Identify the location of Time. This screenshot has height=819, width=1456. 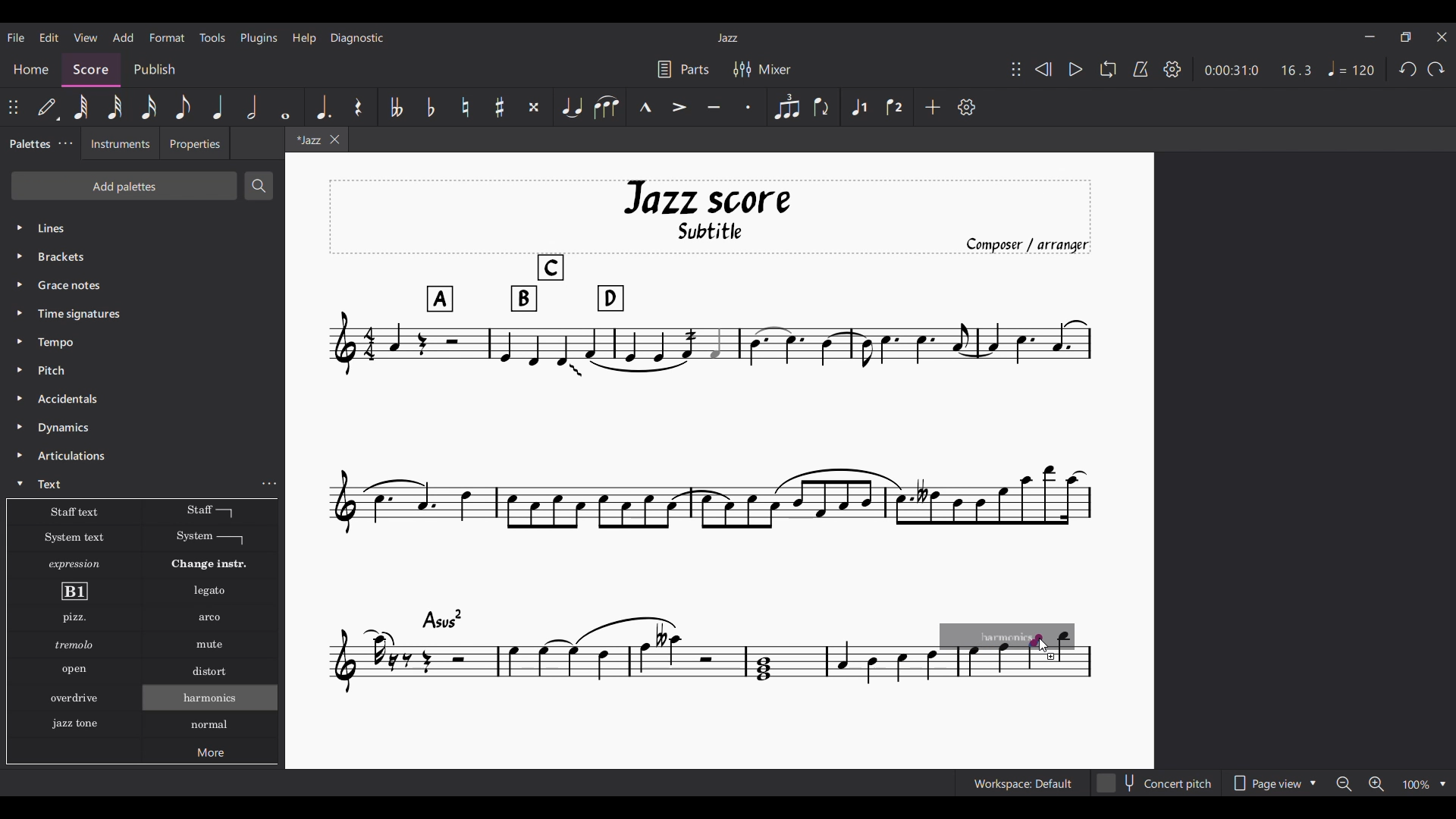
(99, 314).